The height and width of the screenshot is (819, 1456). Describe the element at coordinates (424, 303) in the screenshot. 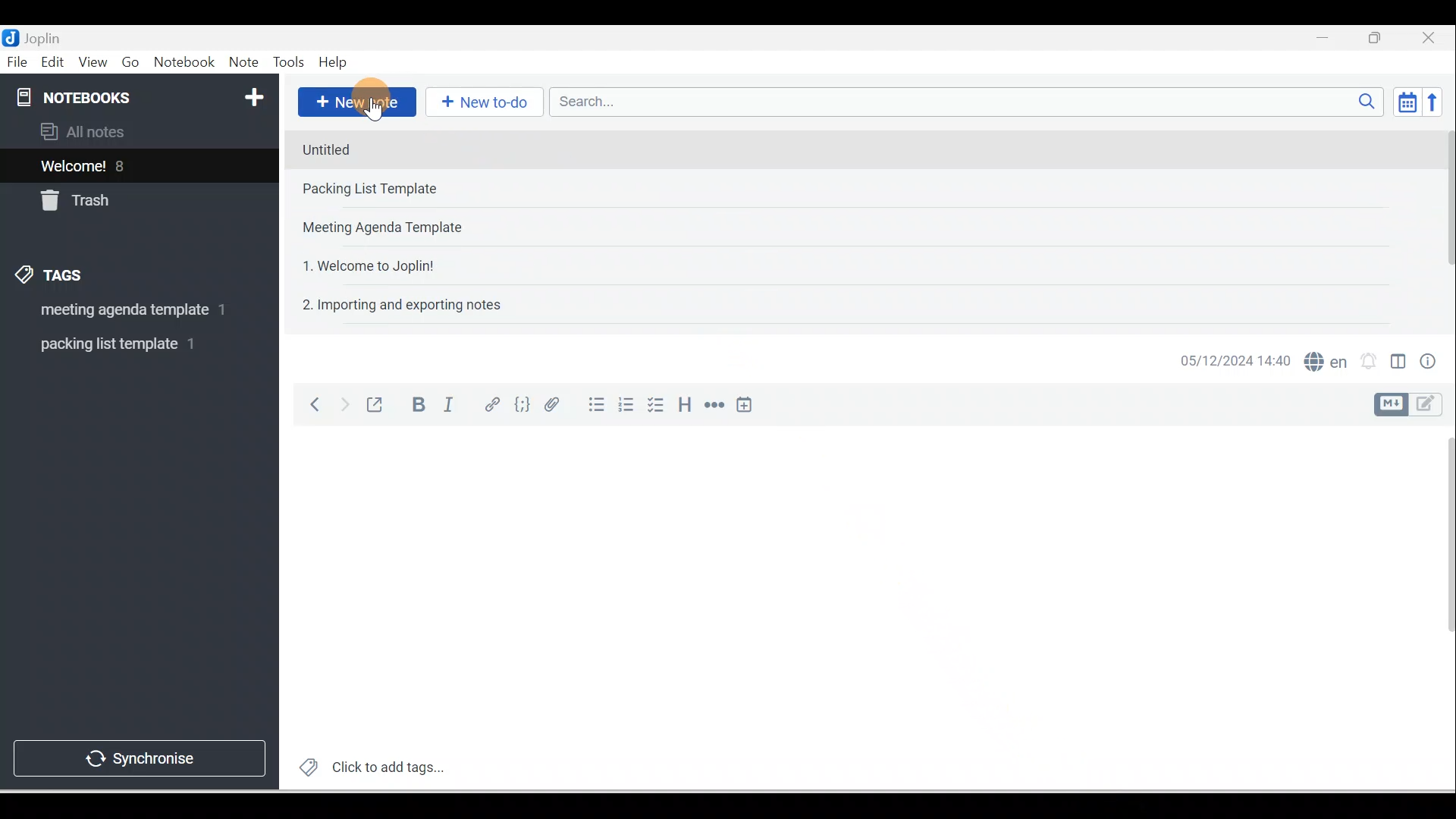

I see `Note 5` at that location.